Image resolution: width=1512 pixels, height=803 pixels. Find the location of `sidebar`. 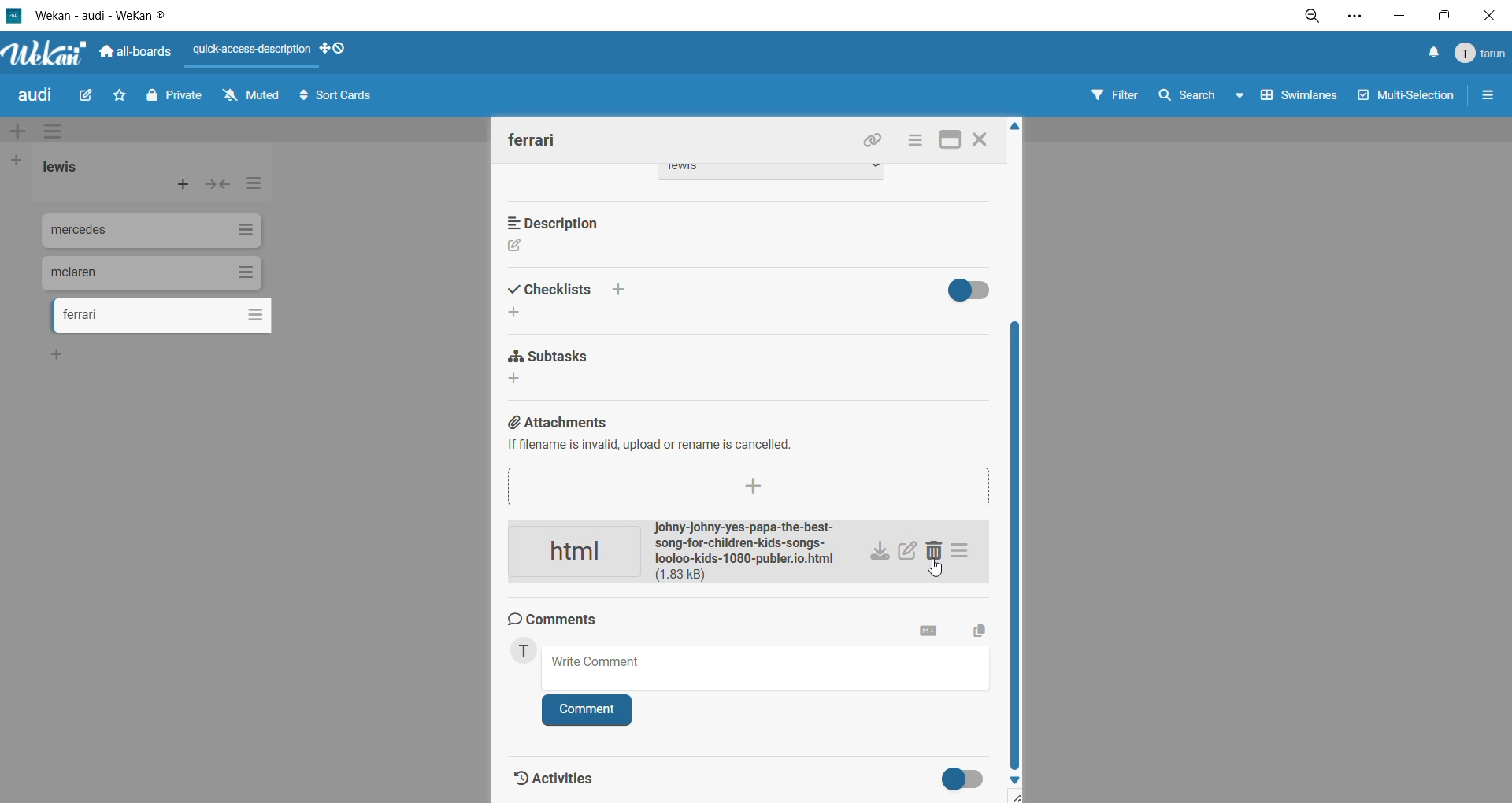

sidebar is located at coordinates (1489, 98).